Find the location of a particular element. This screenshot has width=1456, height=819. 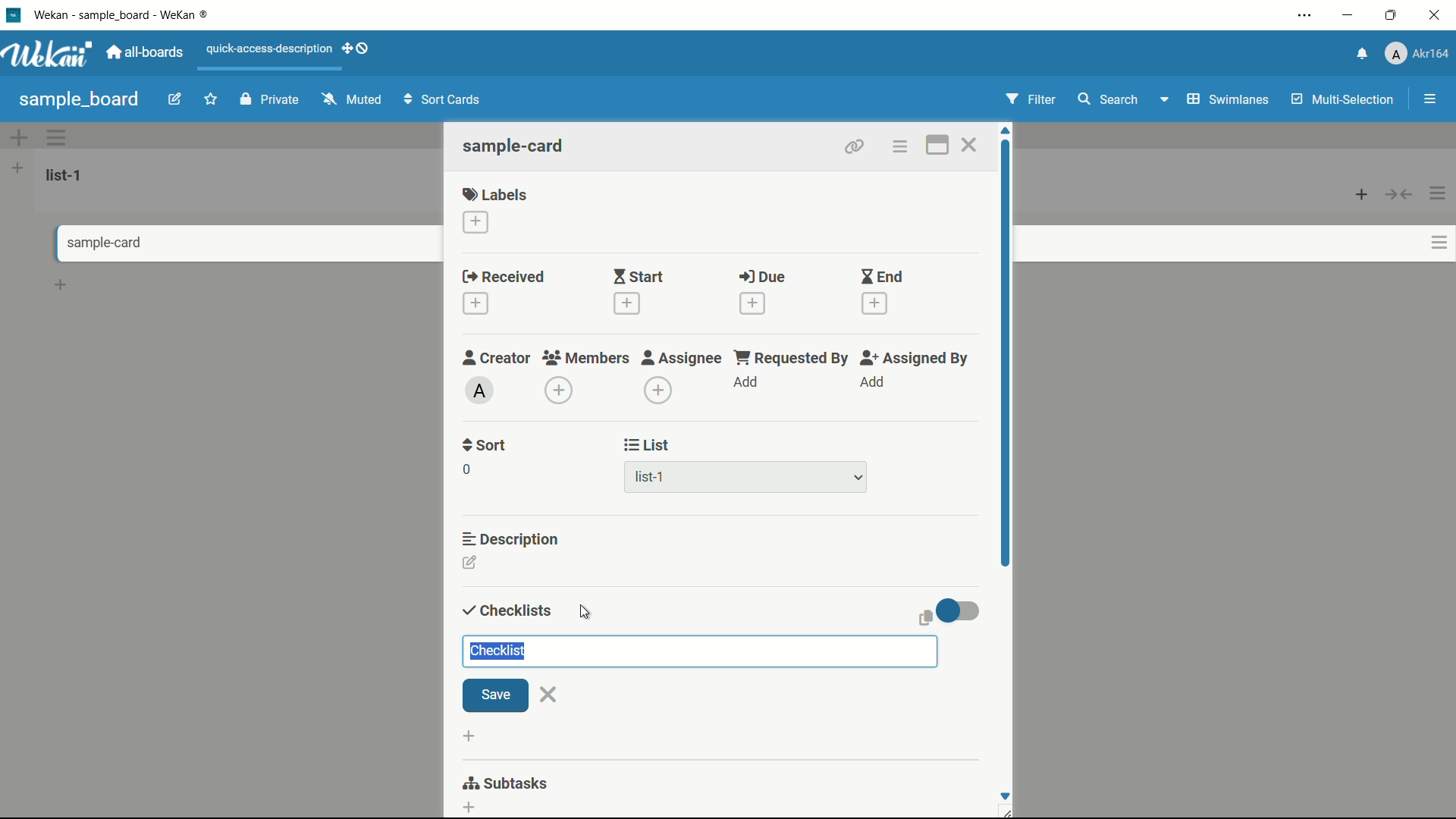

card actions is located at coordinates (1439, 243).